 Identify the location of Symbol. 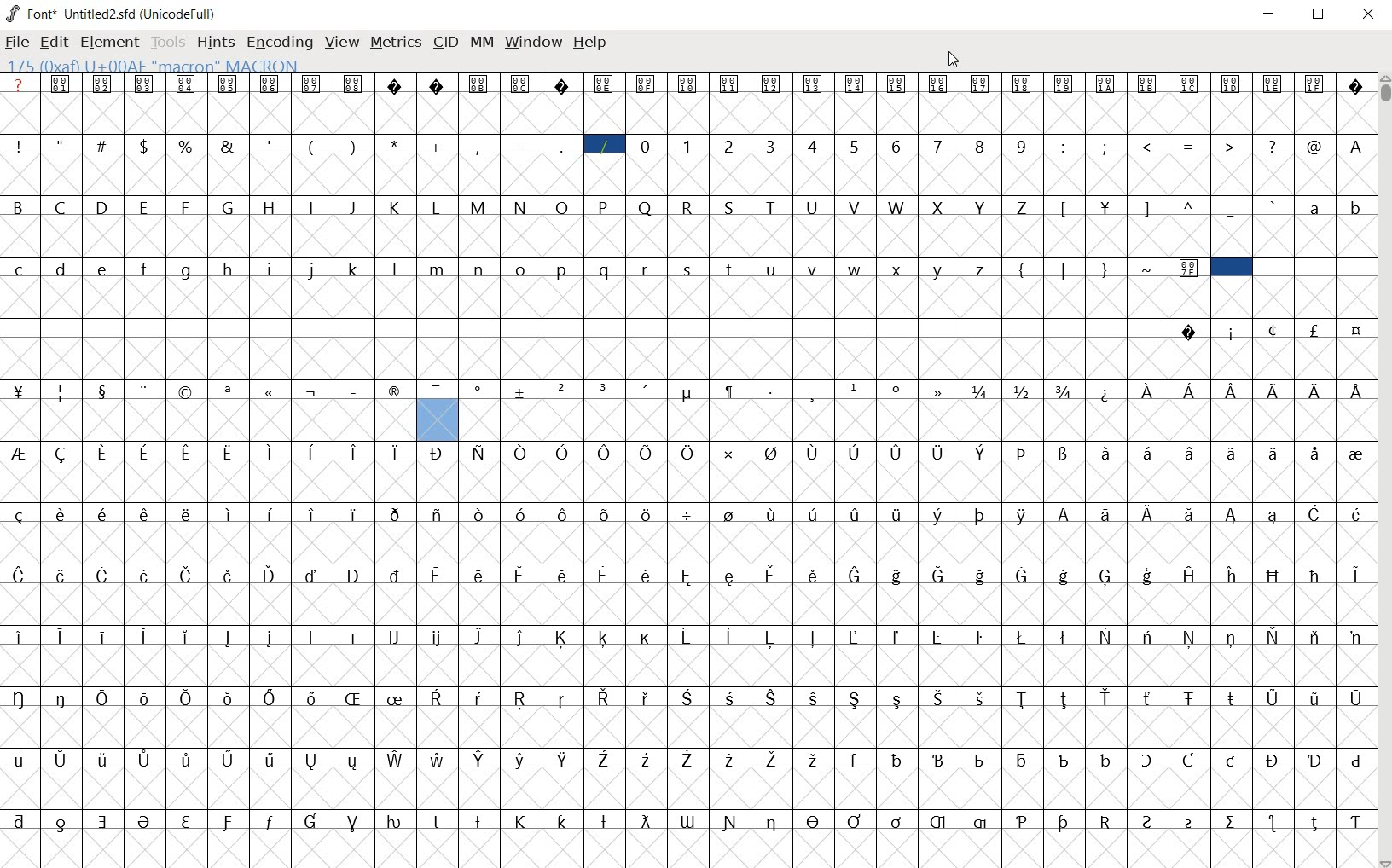
(811, 636).